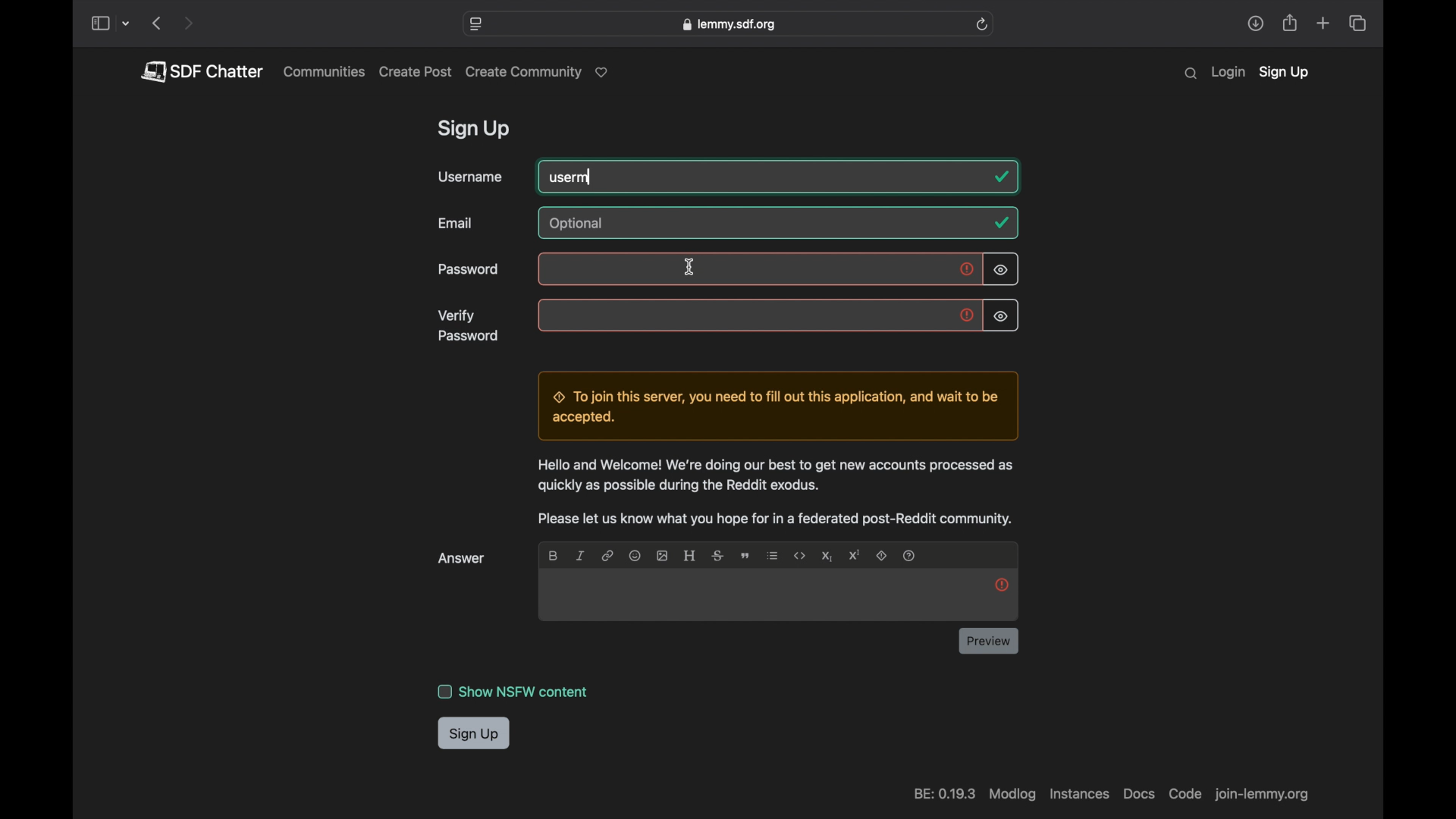  Describe the element at coordinates (127, 24) in the screenshot. I see `tab group picker` at that location.